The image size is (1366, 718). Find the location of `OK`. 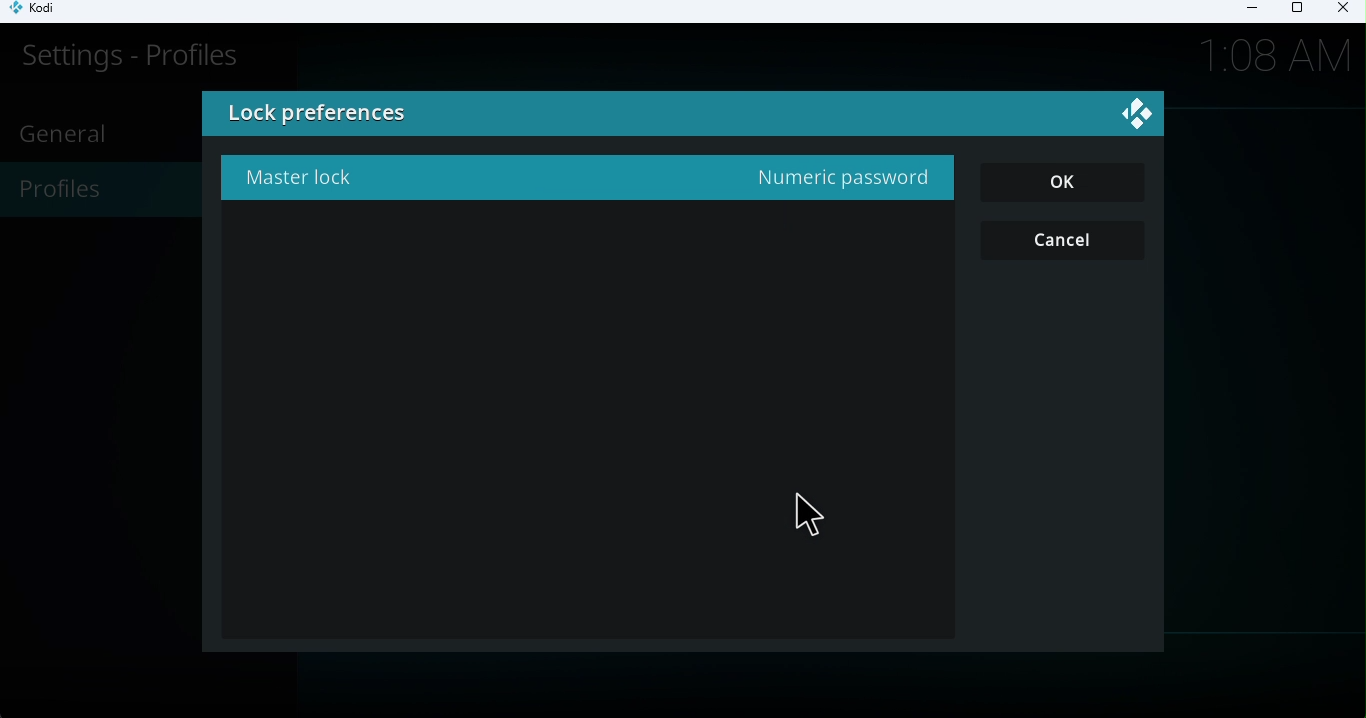

OK is located at coordinates (1073, 185).